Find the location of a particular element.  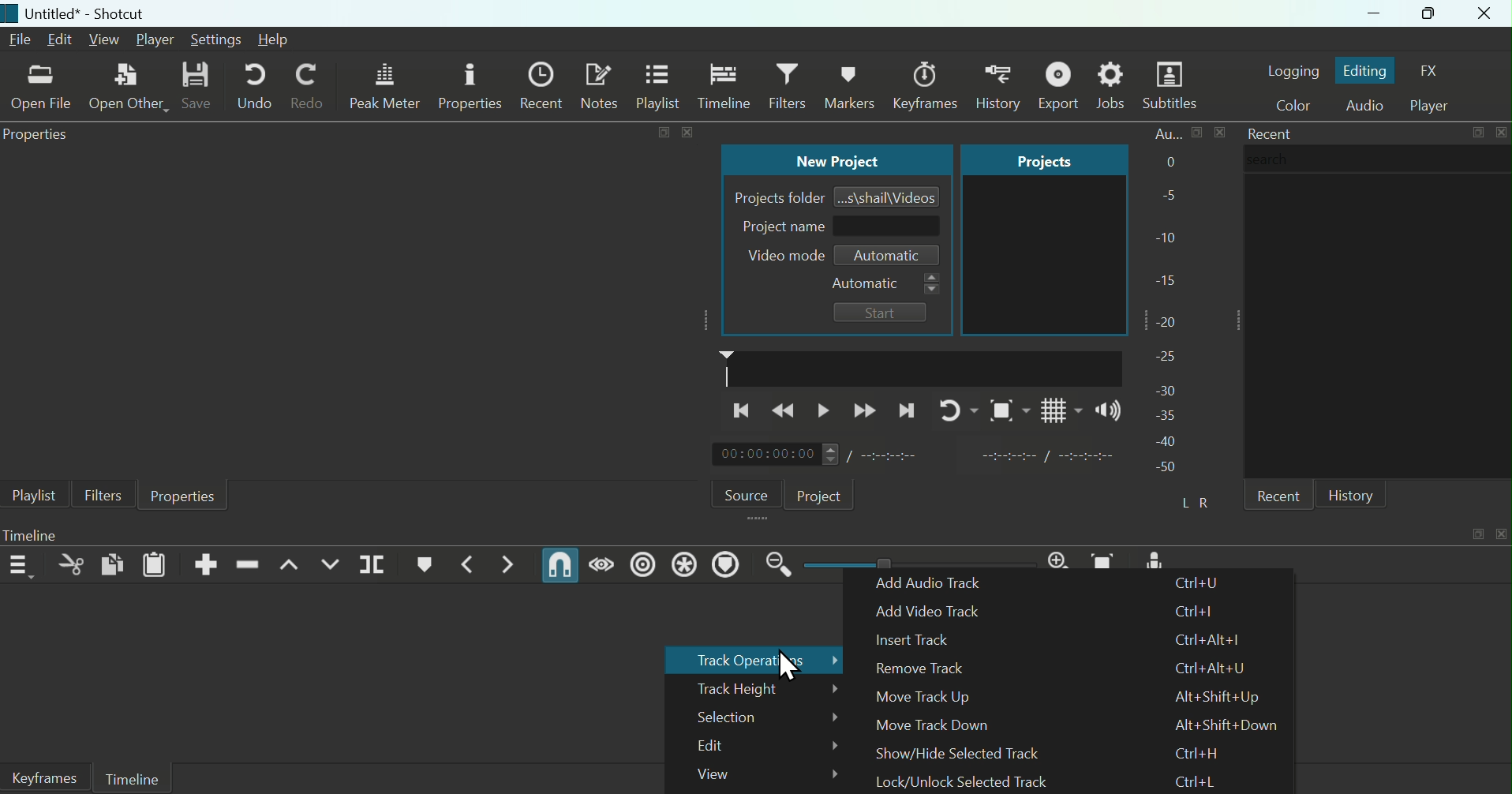

Ctrl+Alt+I is located at coordinates (1206, 639).